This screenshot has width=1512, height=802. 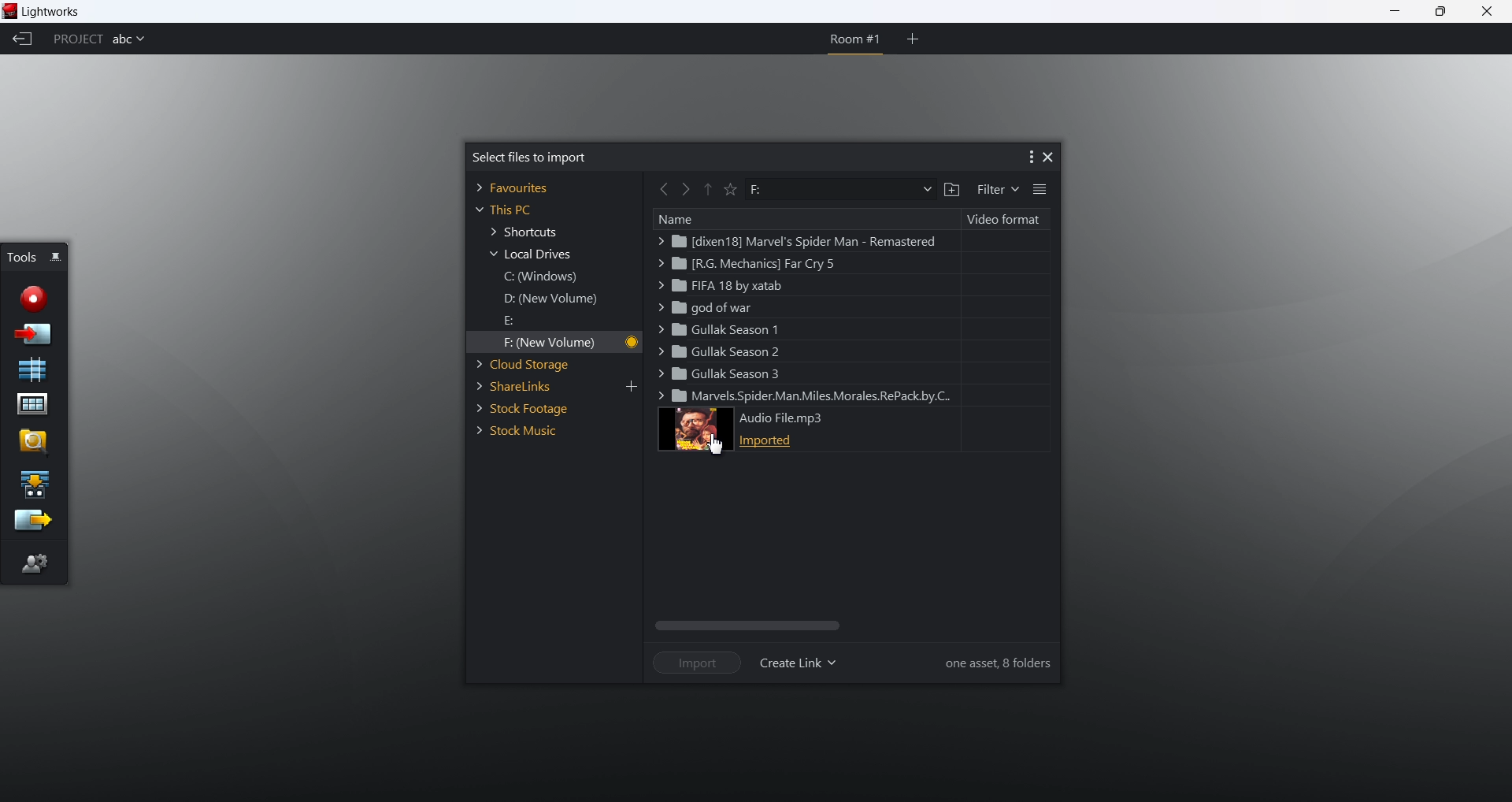 What do you see at coordinates (515, 431) in the screenshot?
I see `stock music` at bounding box center [515, 431].